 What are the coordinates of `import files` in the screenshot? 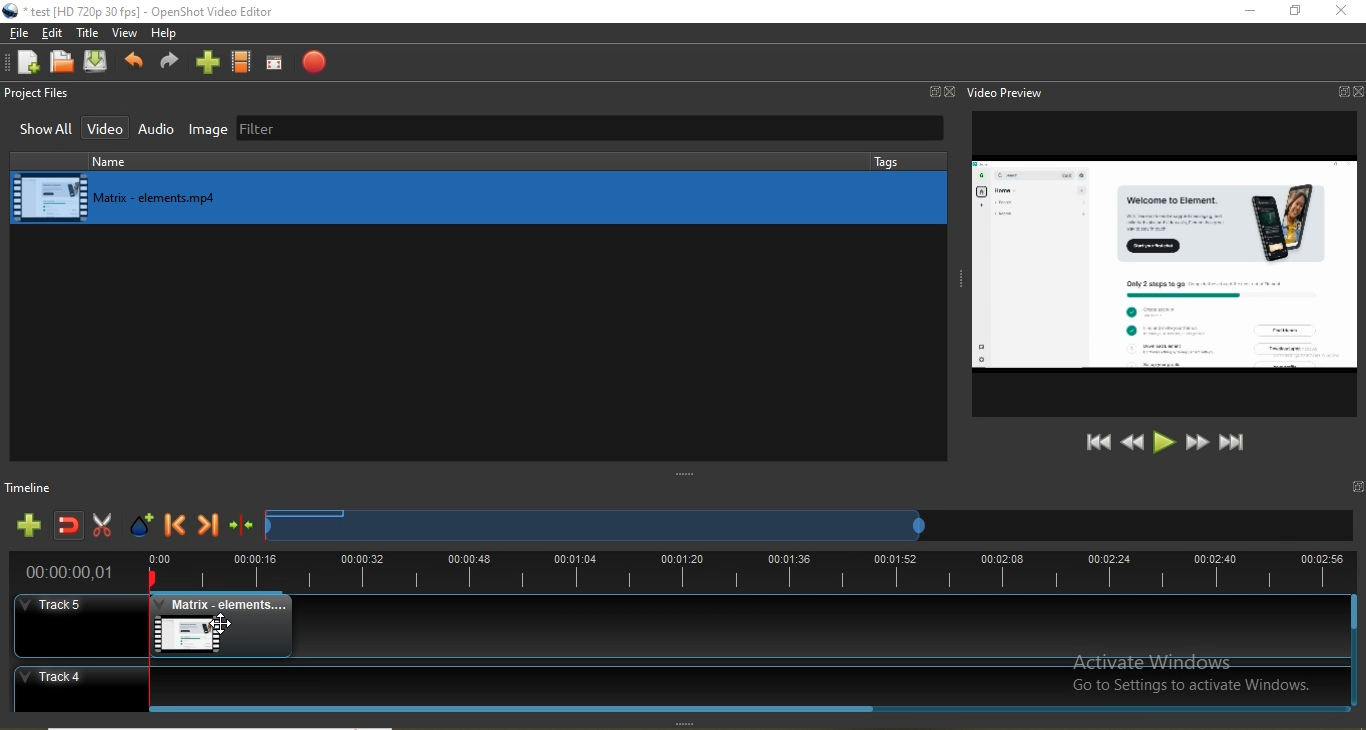 It's located at (209, 62).